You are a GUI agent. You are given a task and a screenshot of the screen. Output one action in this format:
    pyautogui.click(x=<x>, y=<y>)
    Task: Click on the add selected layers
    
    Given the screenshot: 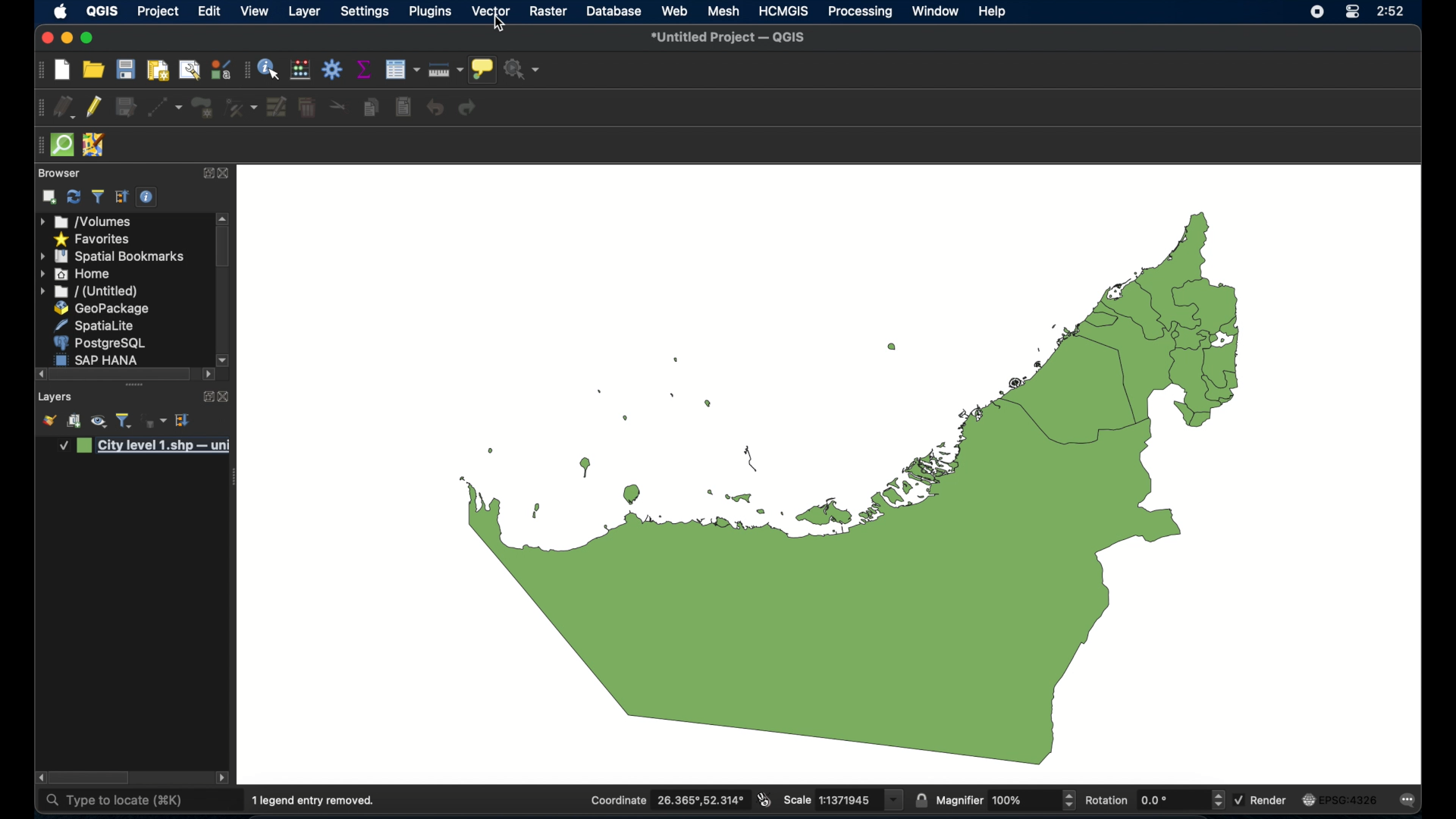 What is the action you would take?
    pyautogui.click(x=49, y=197)
    